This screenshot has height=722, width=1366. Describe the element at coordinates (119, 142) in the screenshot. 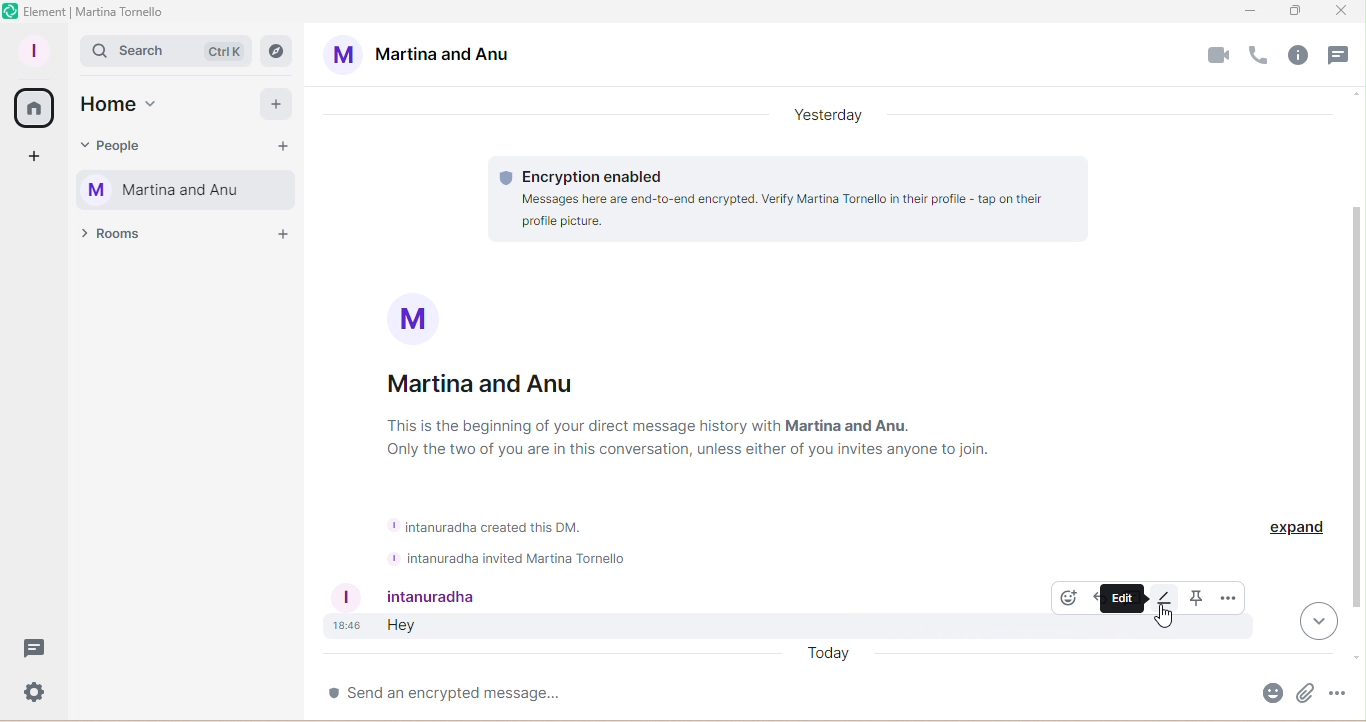

I see `People` at that location.